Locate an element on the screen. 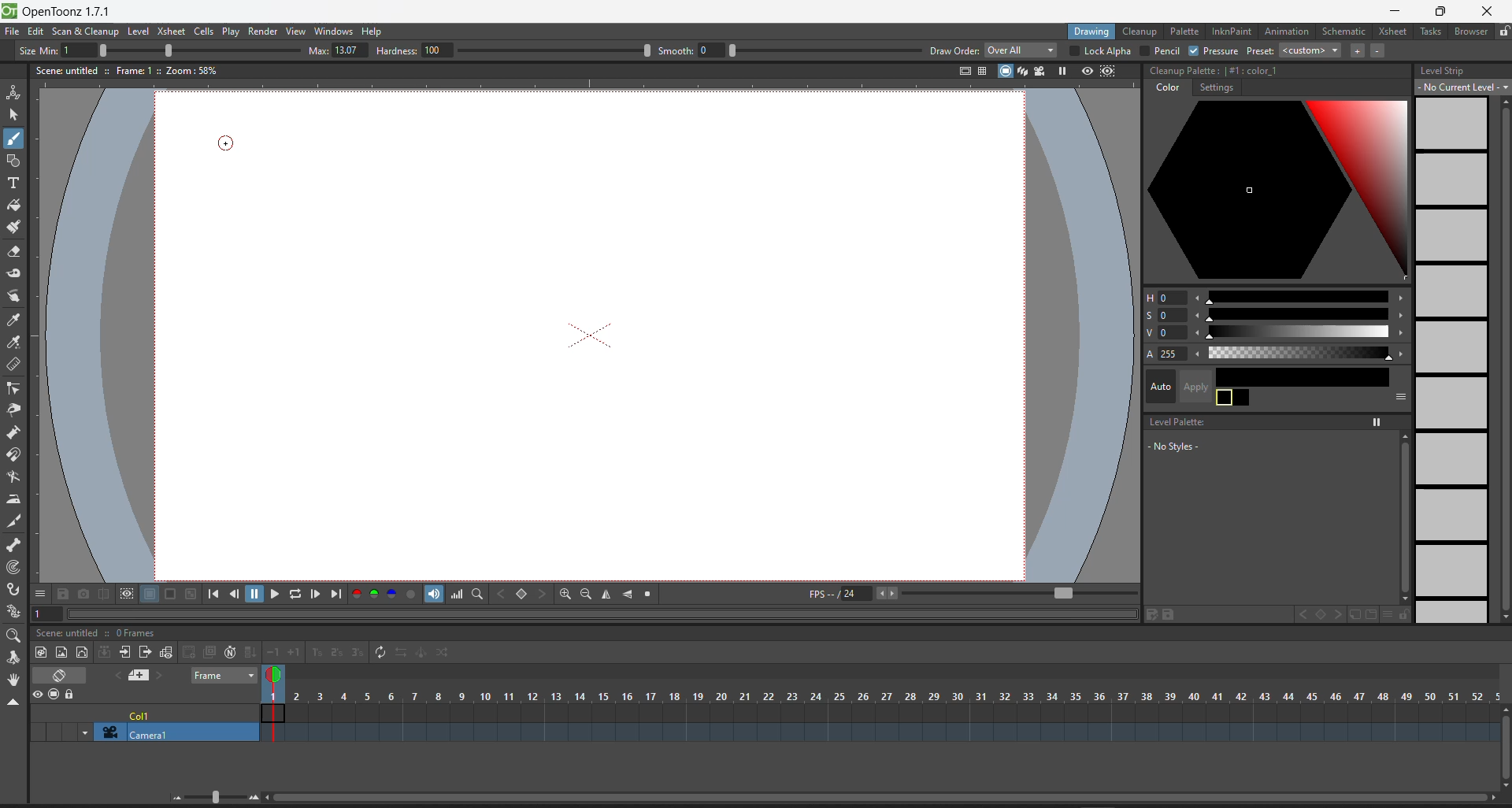  no styles is located at coordinates (1174, 447).